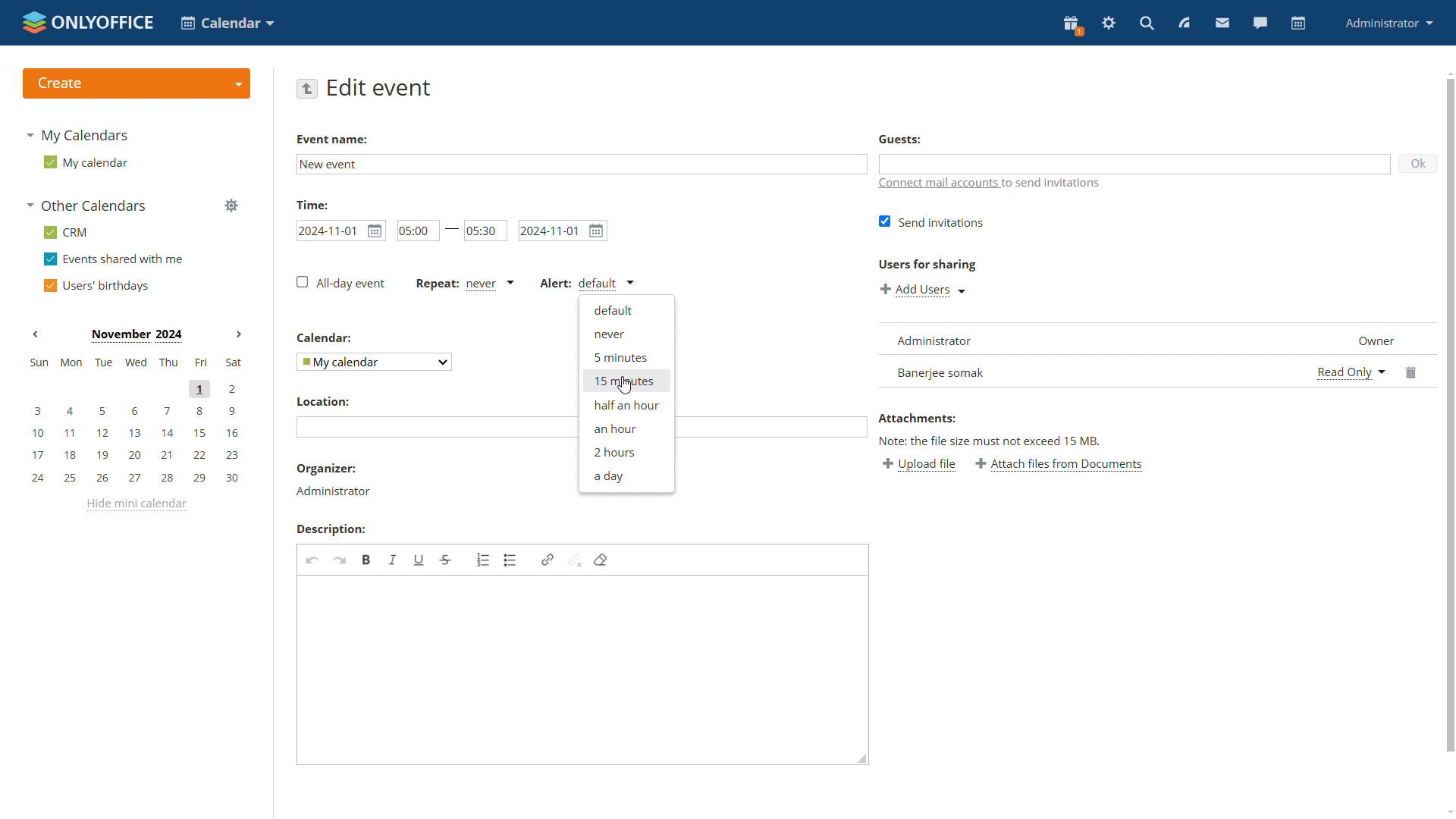  What do you see at coordinates (1072, 26) in the screenshot?
I see `present` at bounding box center [1072, 26].